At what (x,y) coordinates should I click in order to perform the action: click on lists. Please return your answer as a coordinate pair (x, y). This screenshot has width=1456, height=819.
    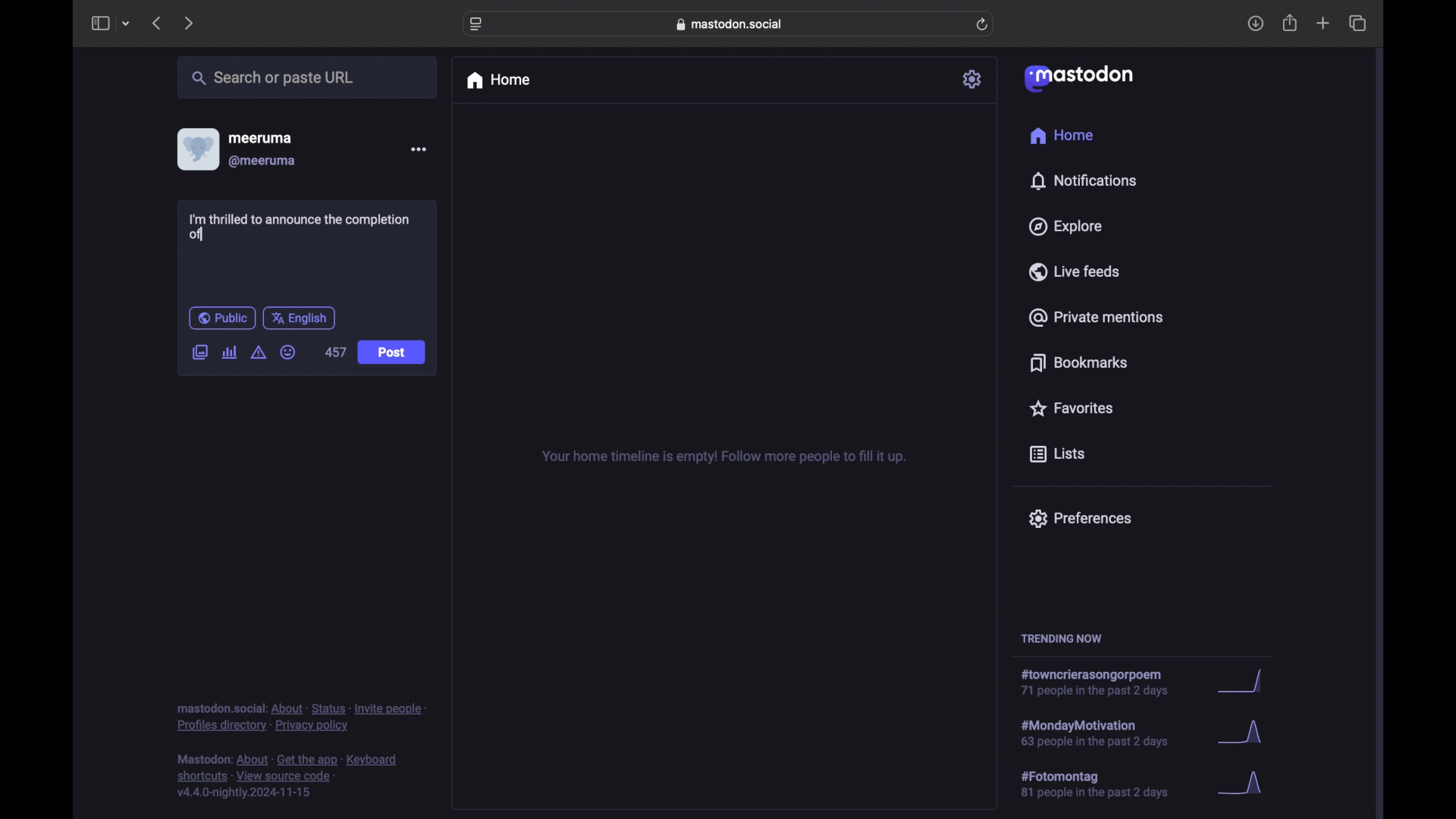
    Looking at the image, I should click on (1057, 455).